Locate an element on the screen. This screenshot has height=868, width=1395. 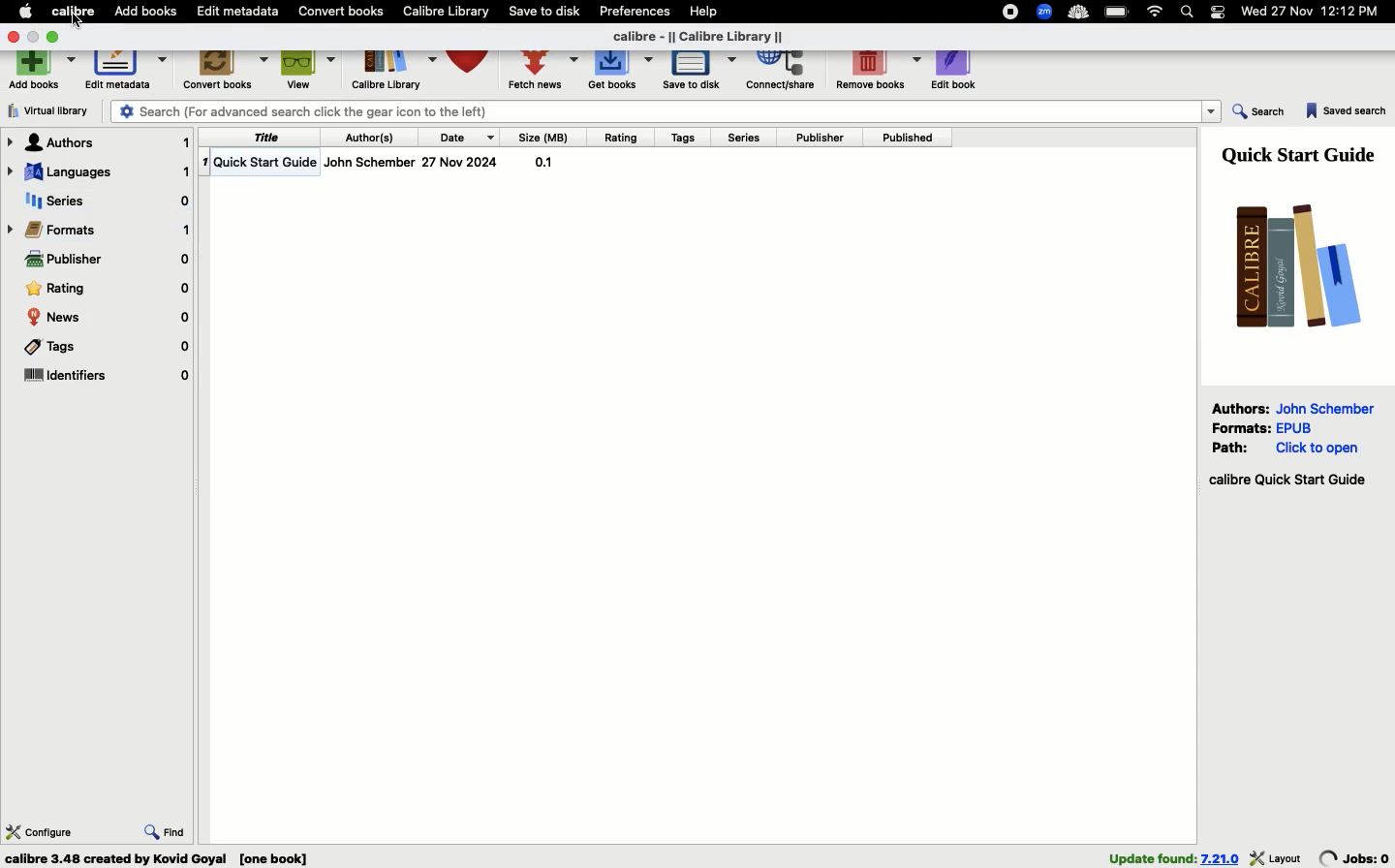
Formats is located at coordinates (1242, 426).